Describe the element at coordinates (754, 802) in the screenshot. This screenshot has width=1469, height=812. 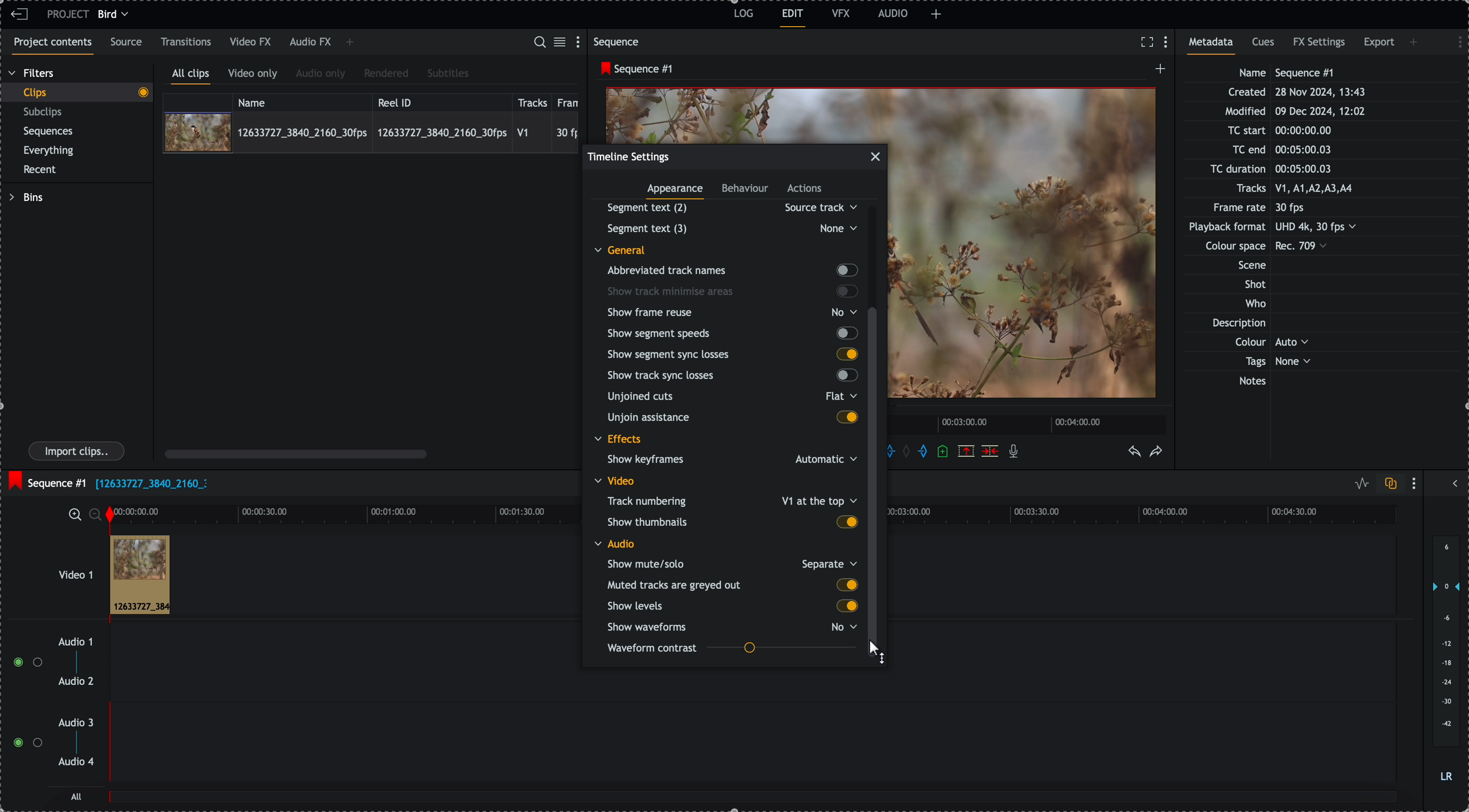
I see `all` at that location.